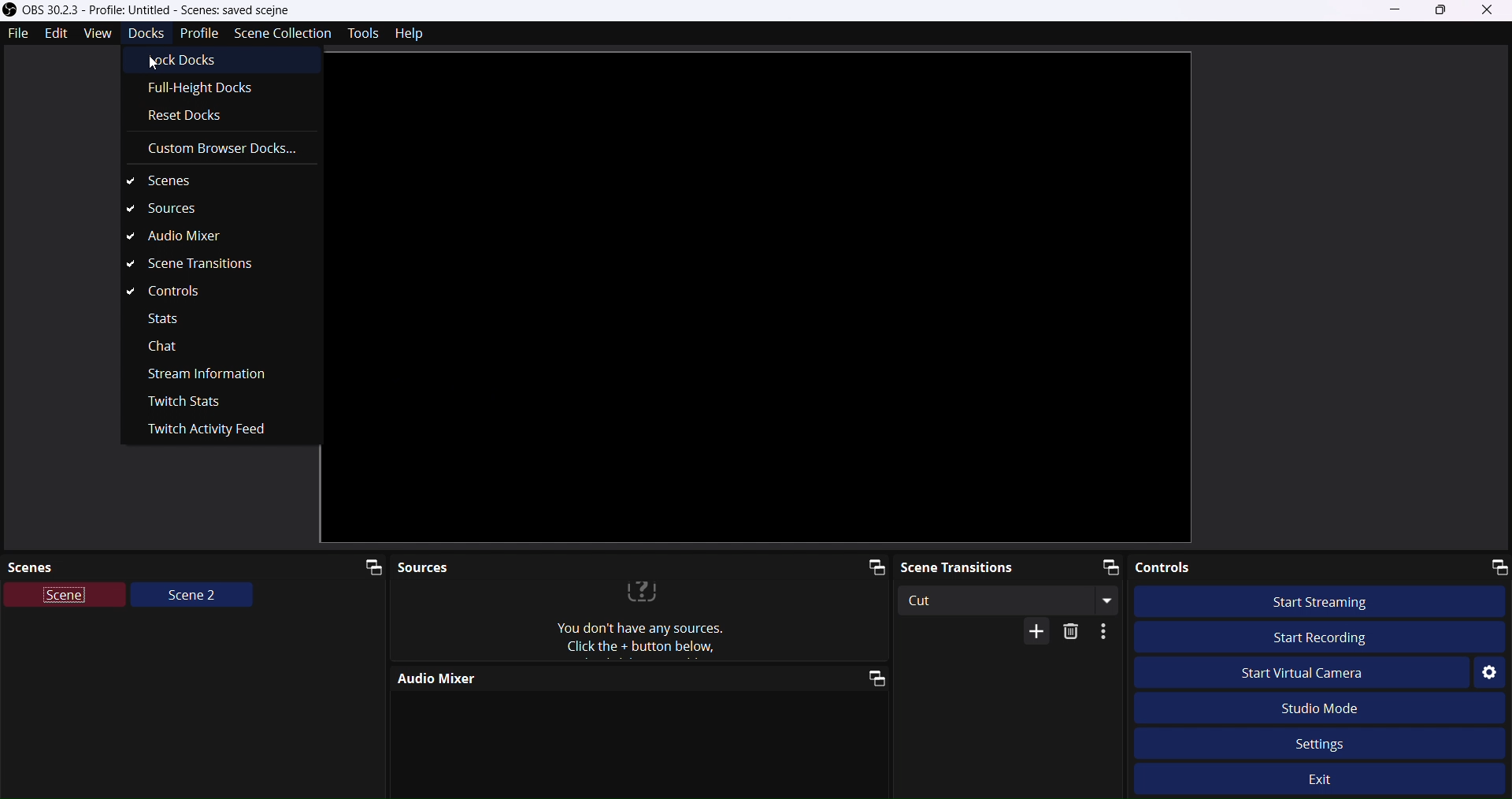 The width and height of the screenshot is (1512, 799). I want to click on Audio Mixer, so click(181, 235).